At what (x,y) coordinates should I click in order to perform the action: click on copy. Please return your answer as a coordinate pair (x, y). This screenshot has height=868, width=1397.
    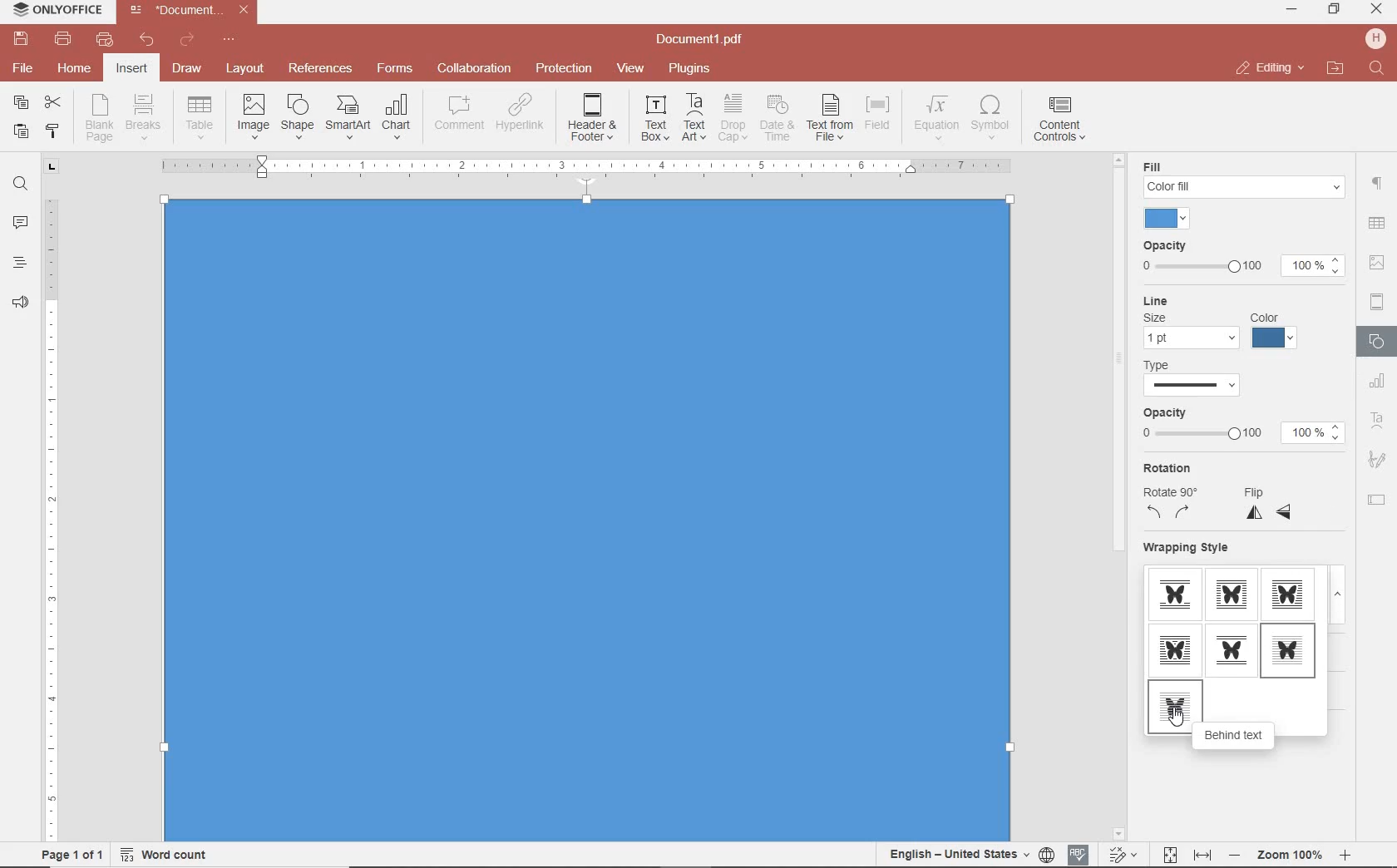
    Looking at the image, I should click on (21, 104).